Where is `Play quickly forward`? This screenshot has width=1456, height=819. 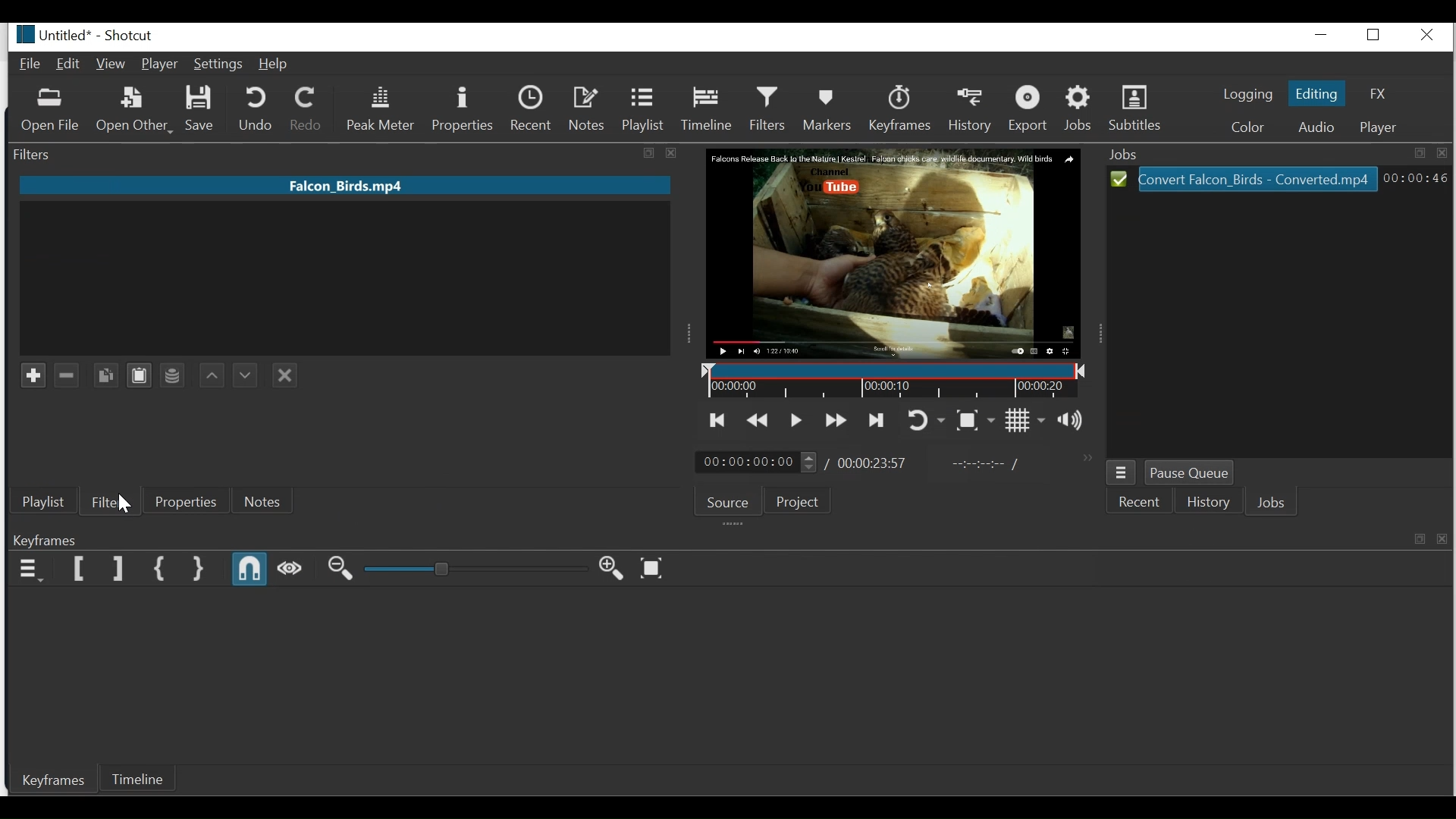
Play quickly forward is located at coordinates (834, 422).